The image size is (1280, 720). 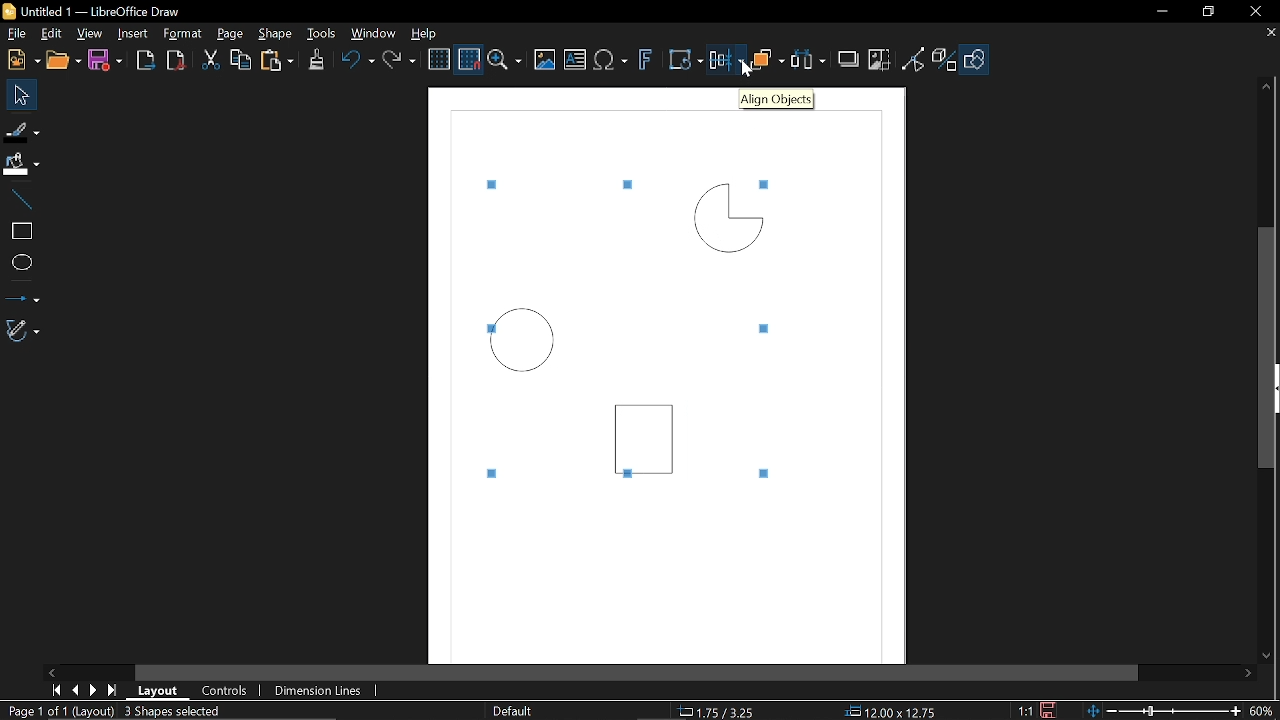 I want to click on Previous page, so click(x=75, y=690).